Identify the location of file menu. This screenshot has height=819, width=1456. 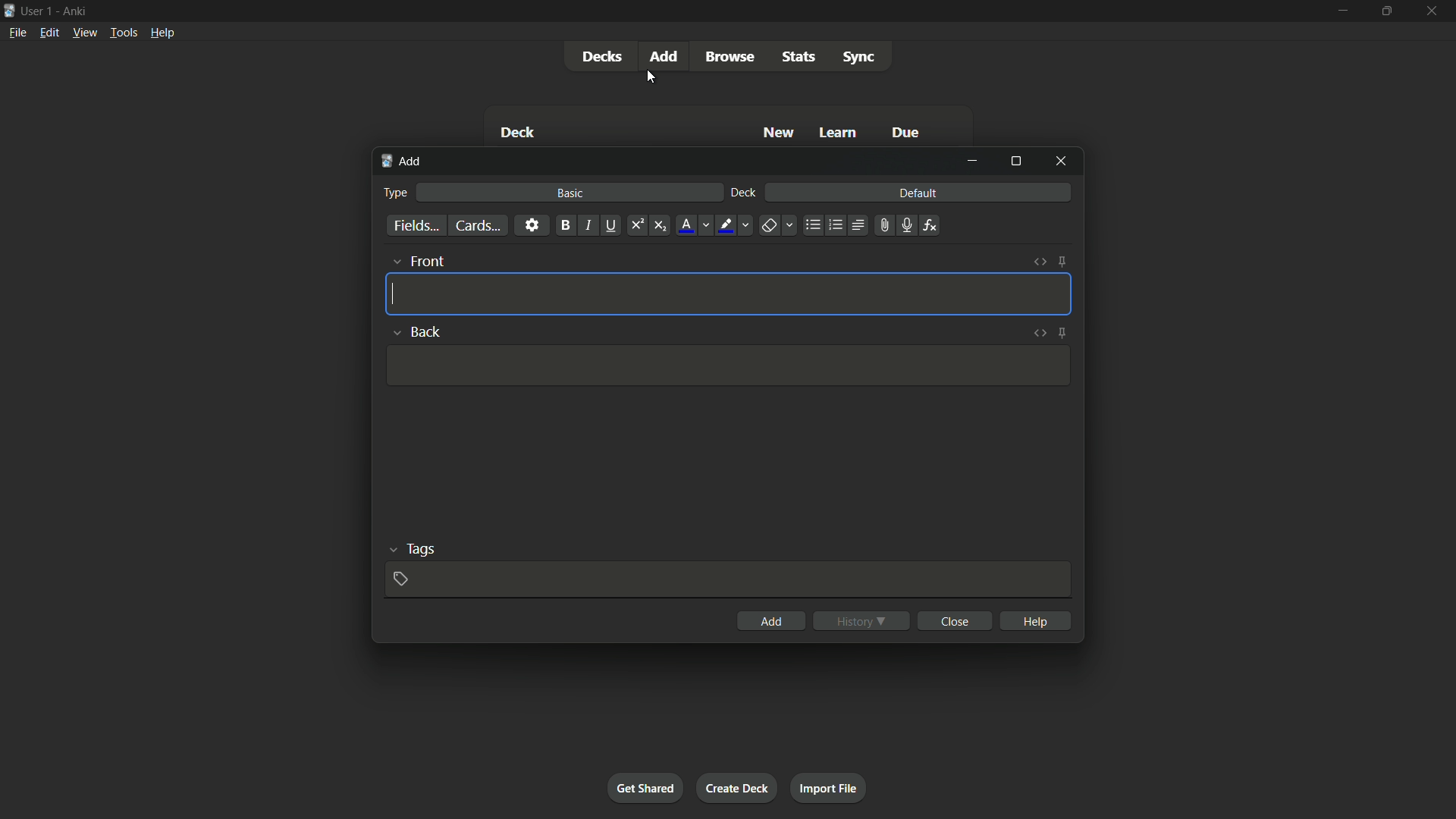
(19, 32).